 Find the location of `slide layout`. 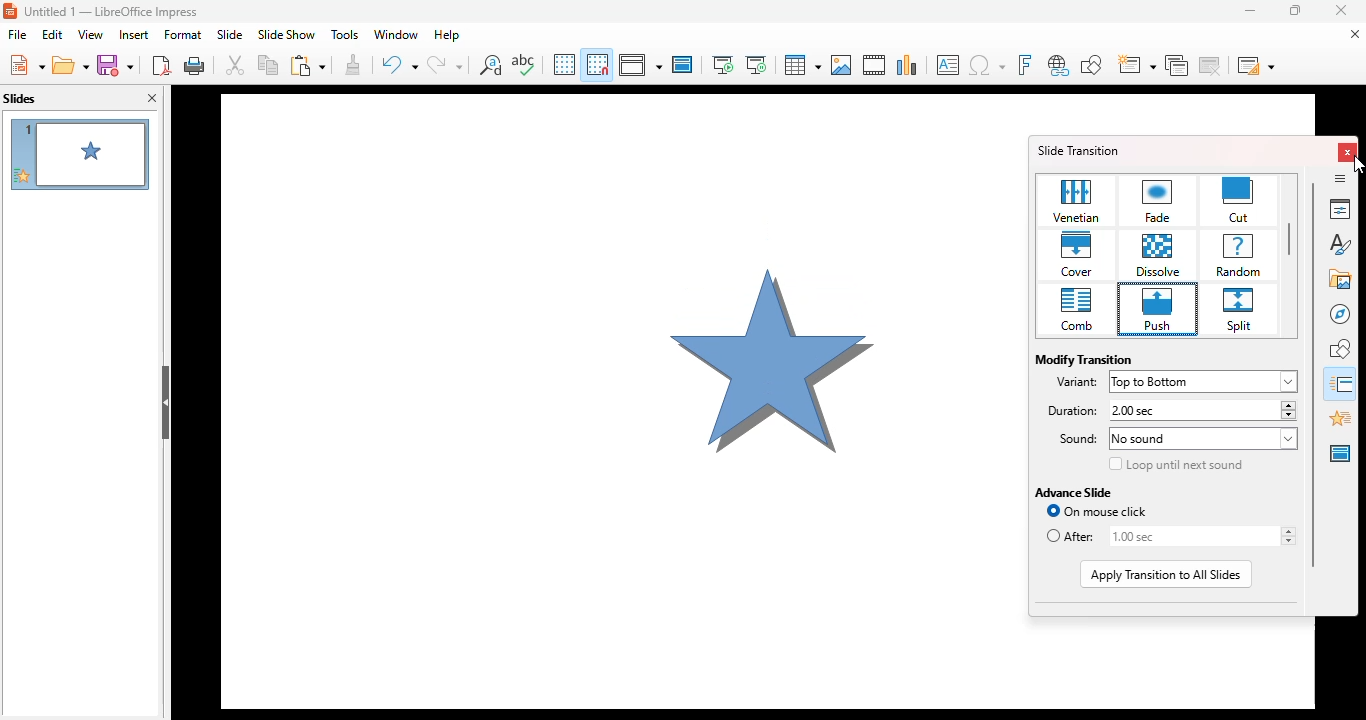

slide layout is located at coordinates (1256, 65).